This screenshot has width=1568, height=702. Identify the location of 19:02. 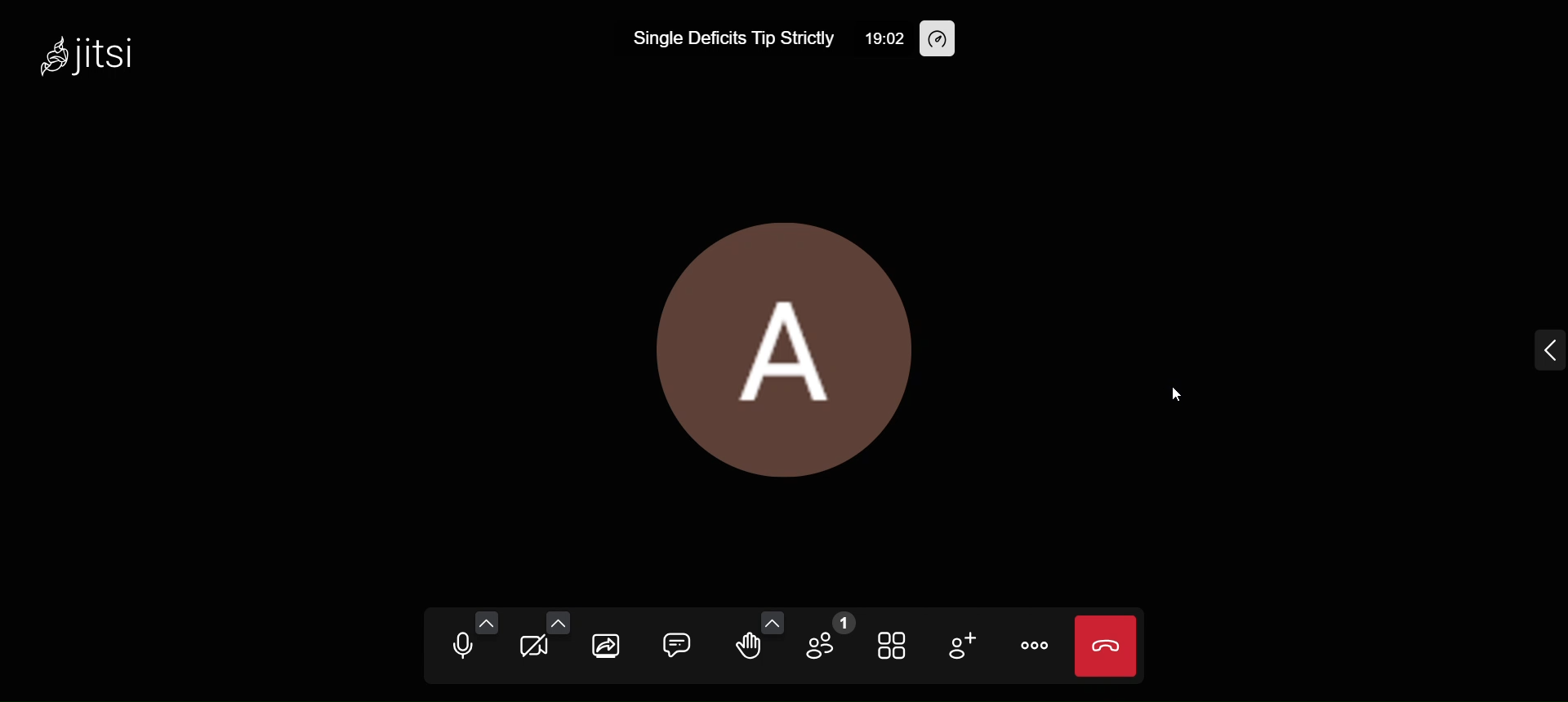
(873, 38).